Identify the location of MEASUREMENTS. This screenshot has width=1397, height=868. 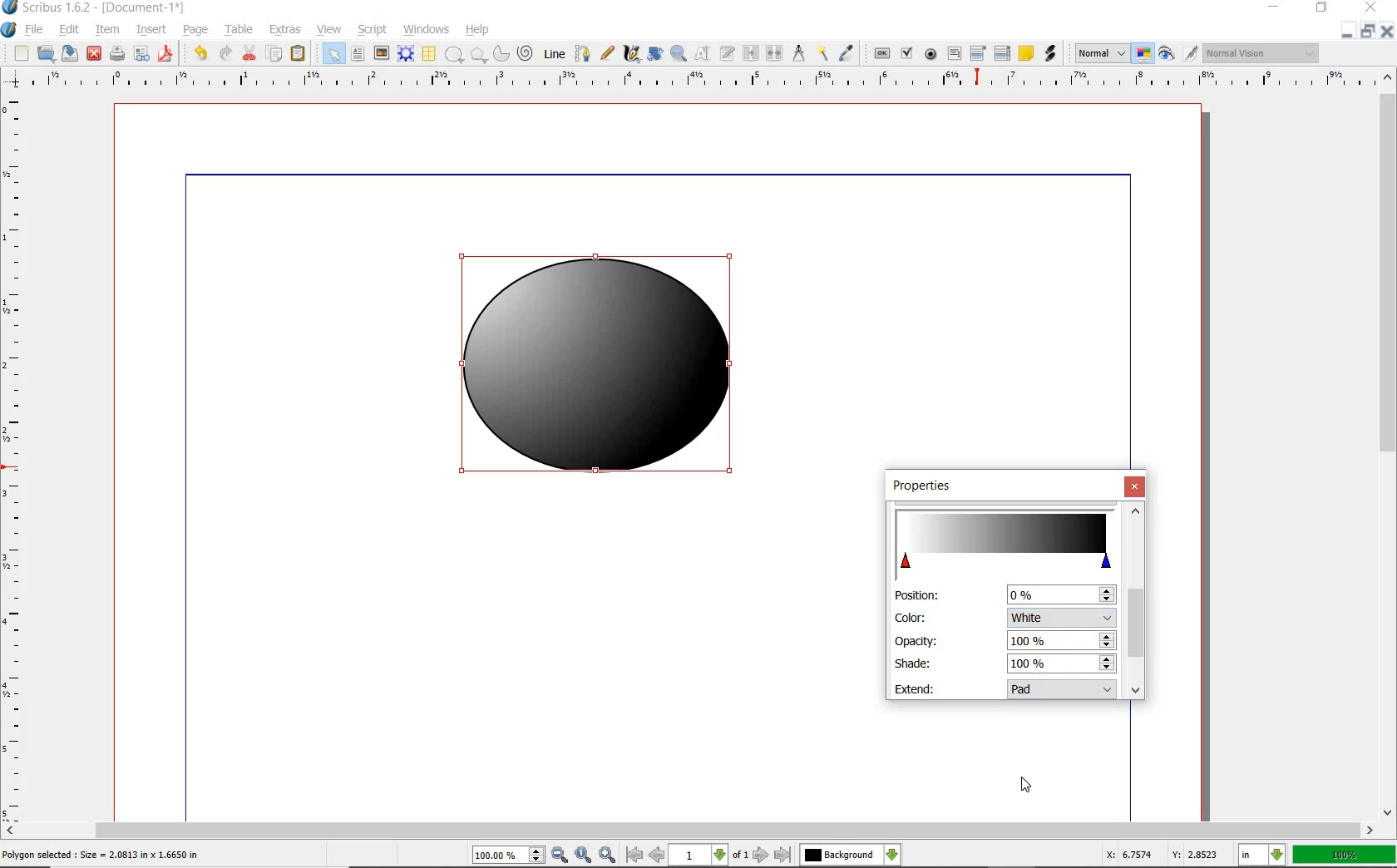
(798, 54).